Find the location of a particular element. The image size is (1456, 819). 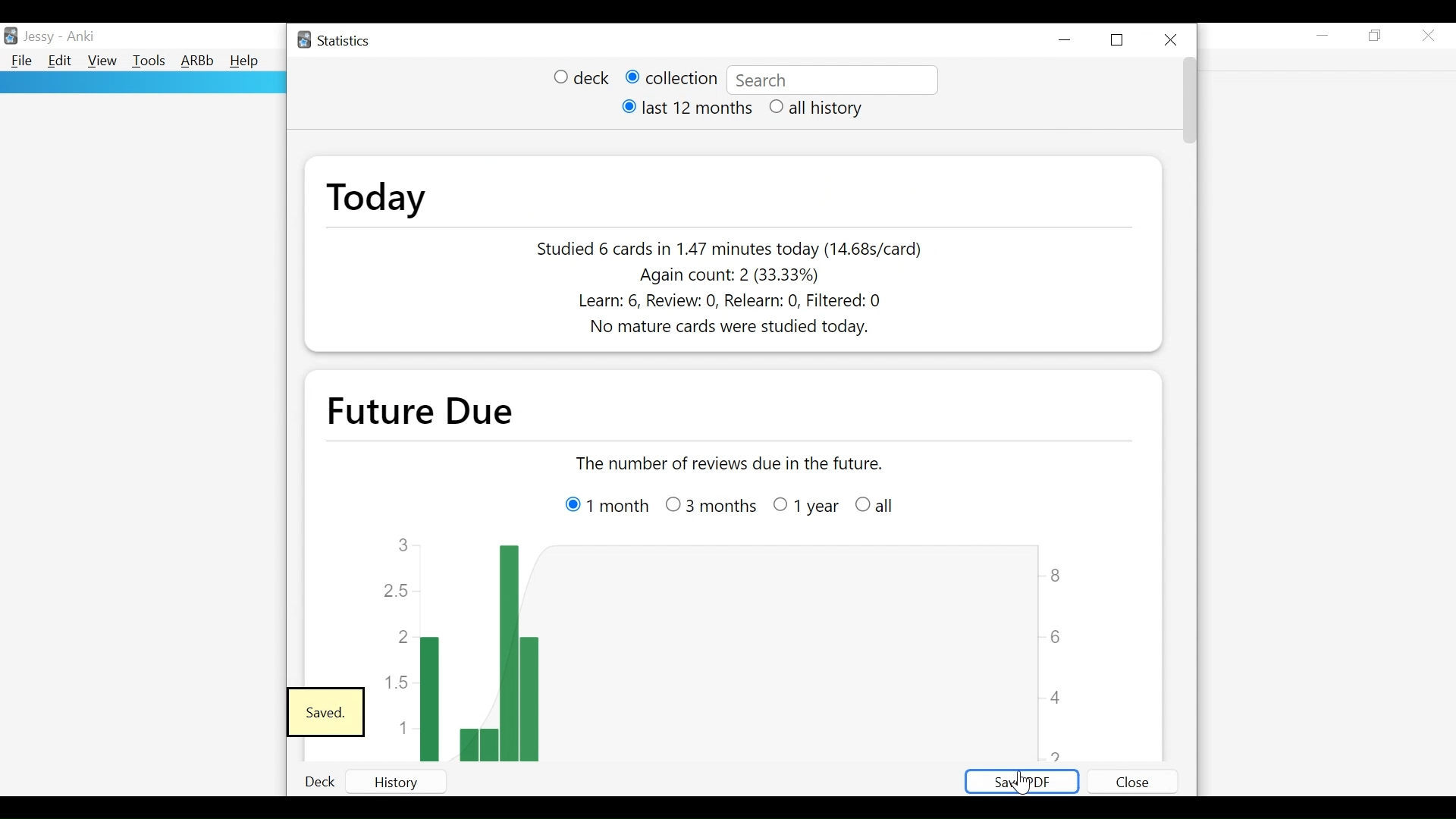

Minimize is located at coordinates (1068, 39).